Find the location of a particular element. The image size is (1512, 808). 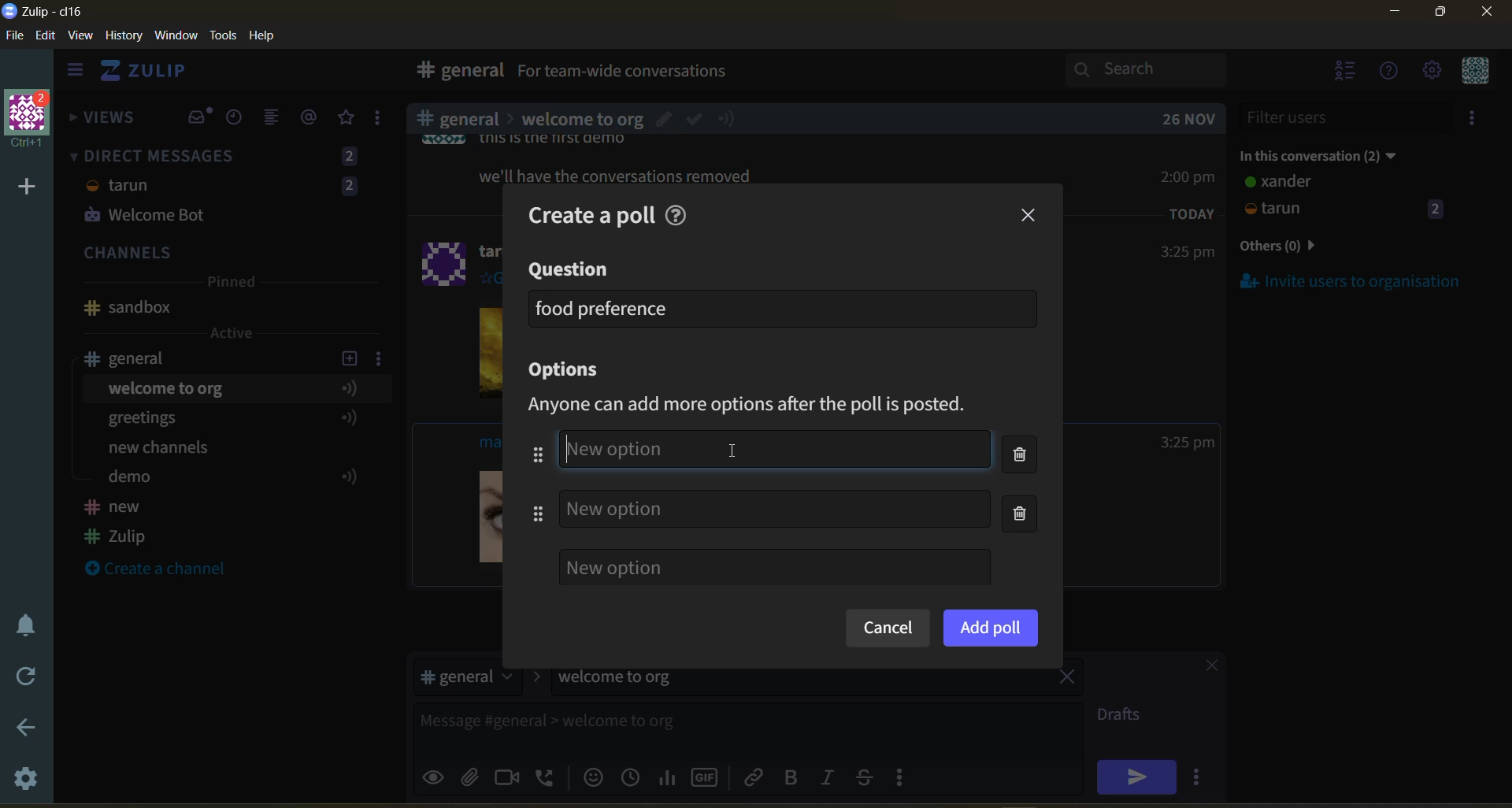

organisation is located at coordinates (31, 120).